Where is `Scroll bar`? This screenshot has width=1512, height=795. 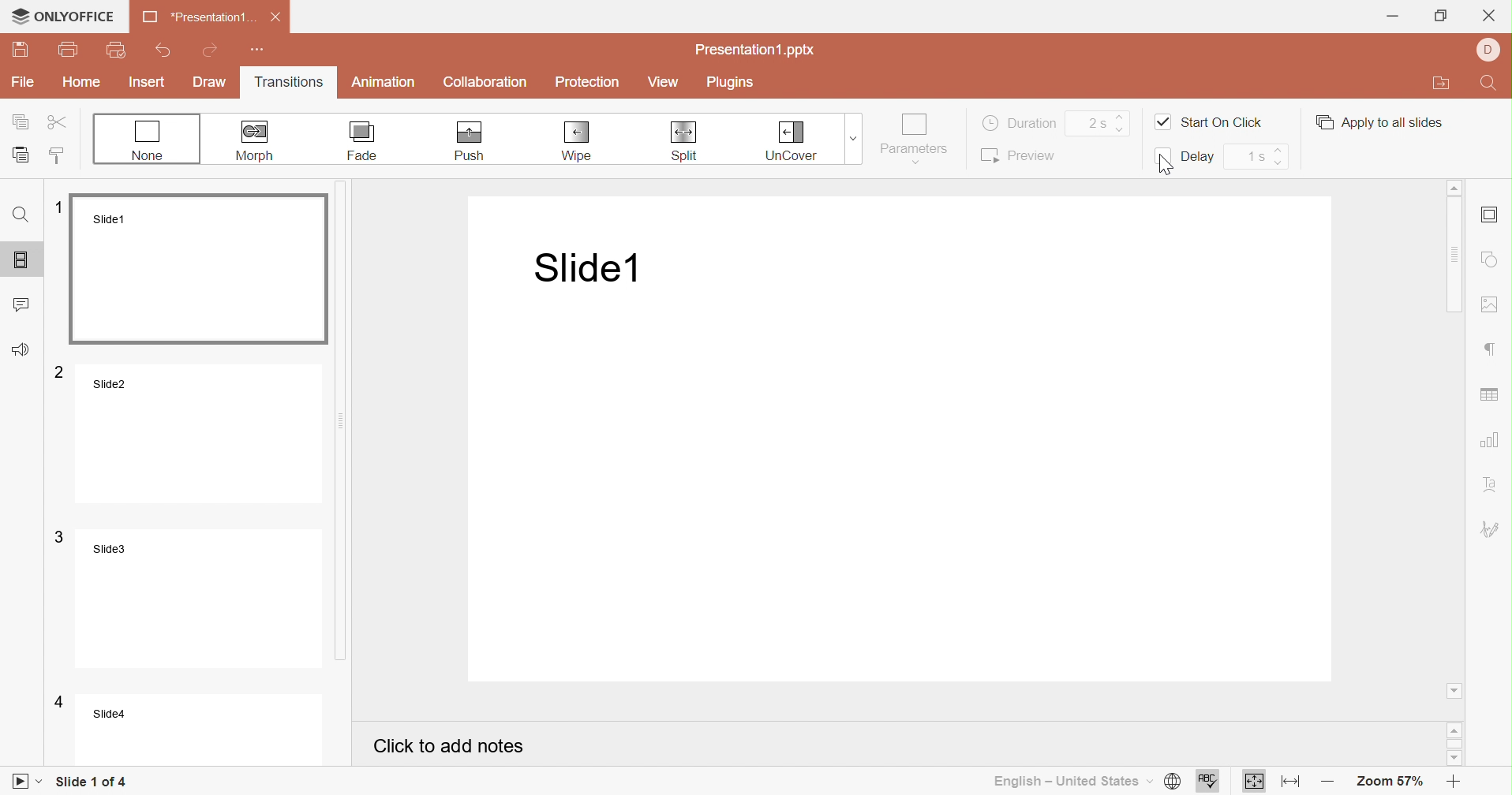 Scroll bar is located at coordinates (1458, 255).